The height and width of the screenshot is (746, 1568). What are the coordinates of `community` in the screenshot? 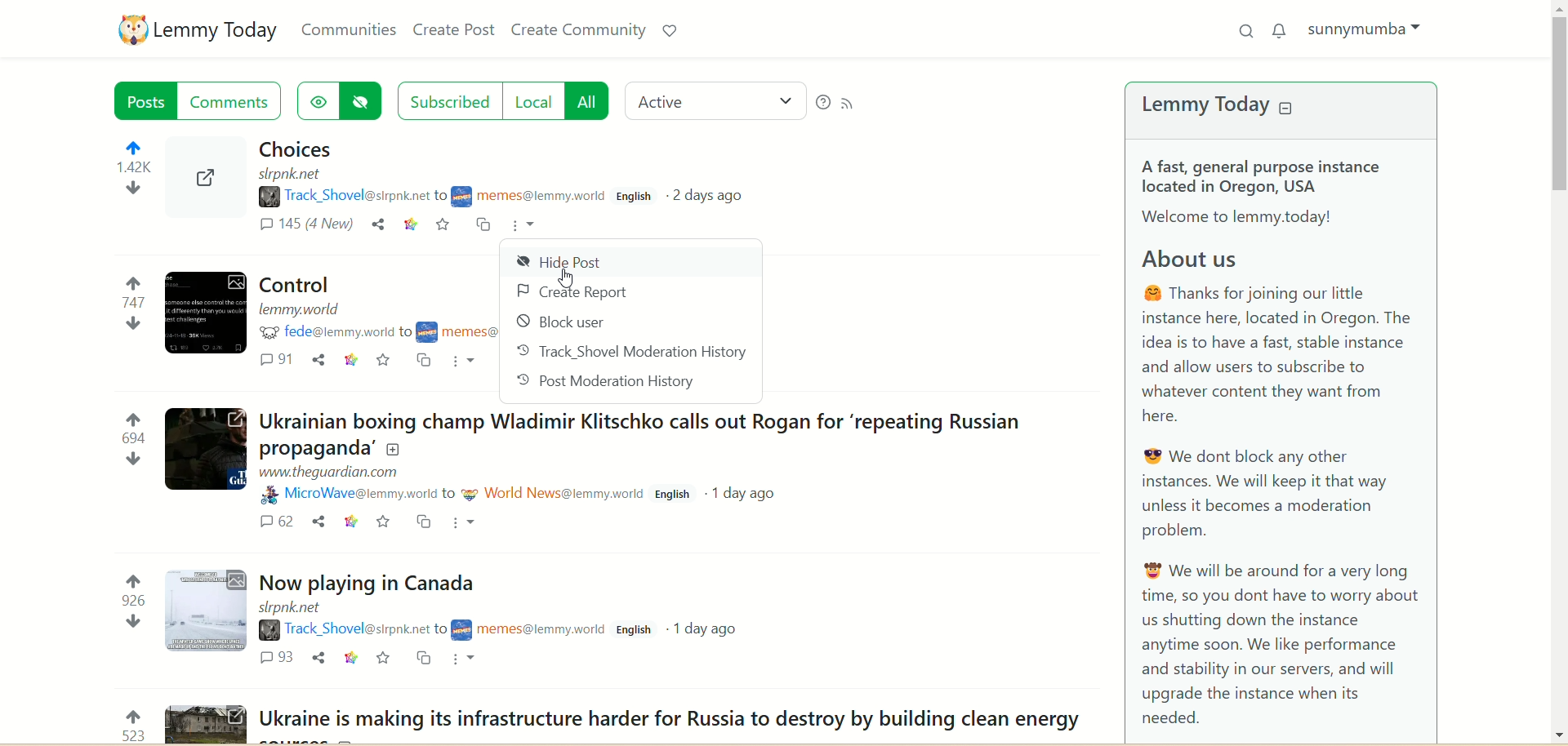 It's located at (531, 632).